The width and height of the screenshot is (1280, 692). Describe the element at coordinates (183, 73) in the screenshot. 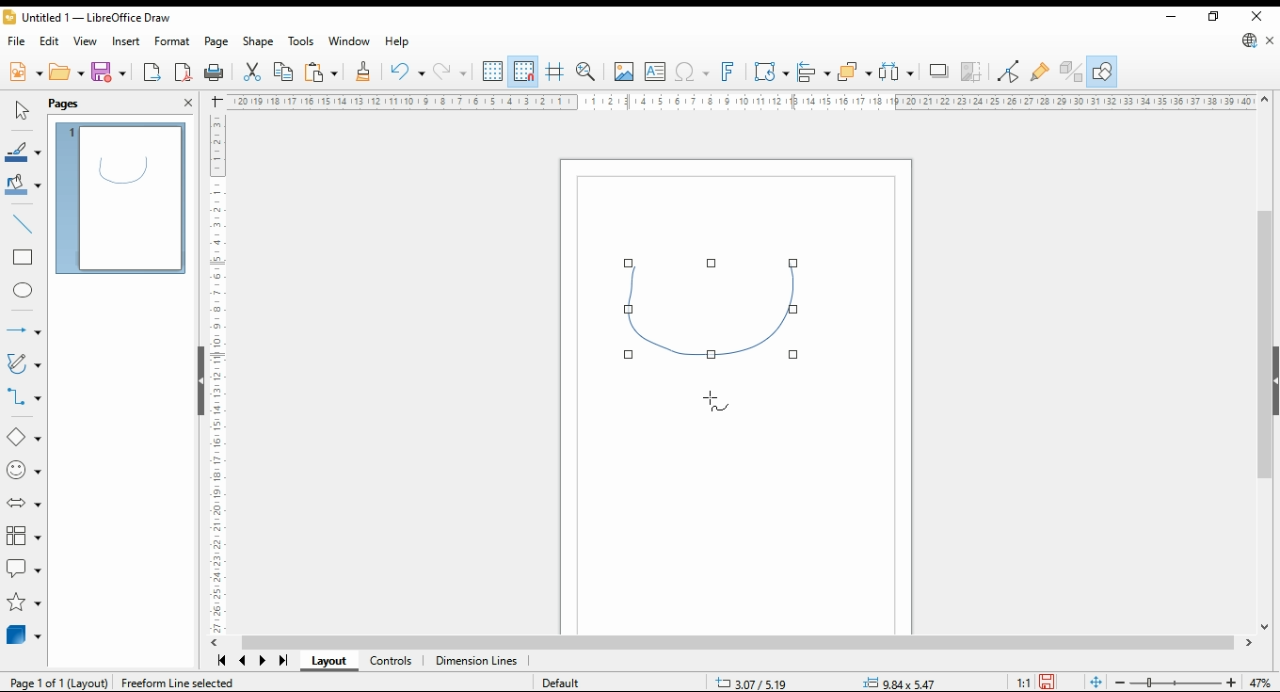

I see `export as pdf` at that location.